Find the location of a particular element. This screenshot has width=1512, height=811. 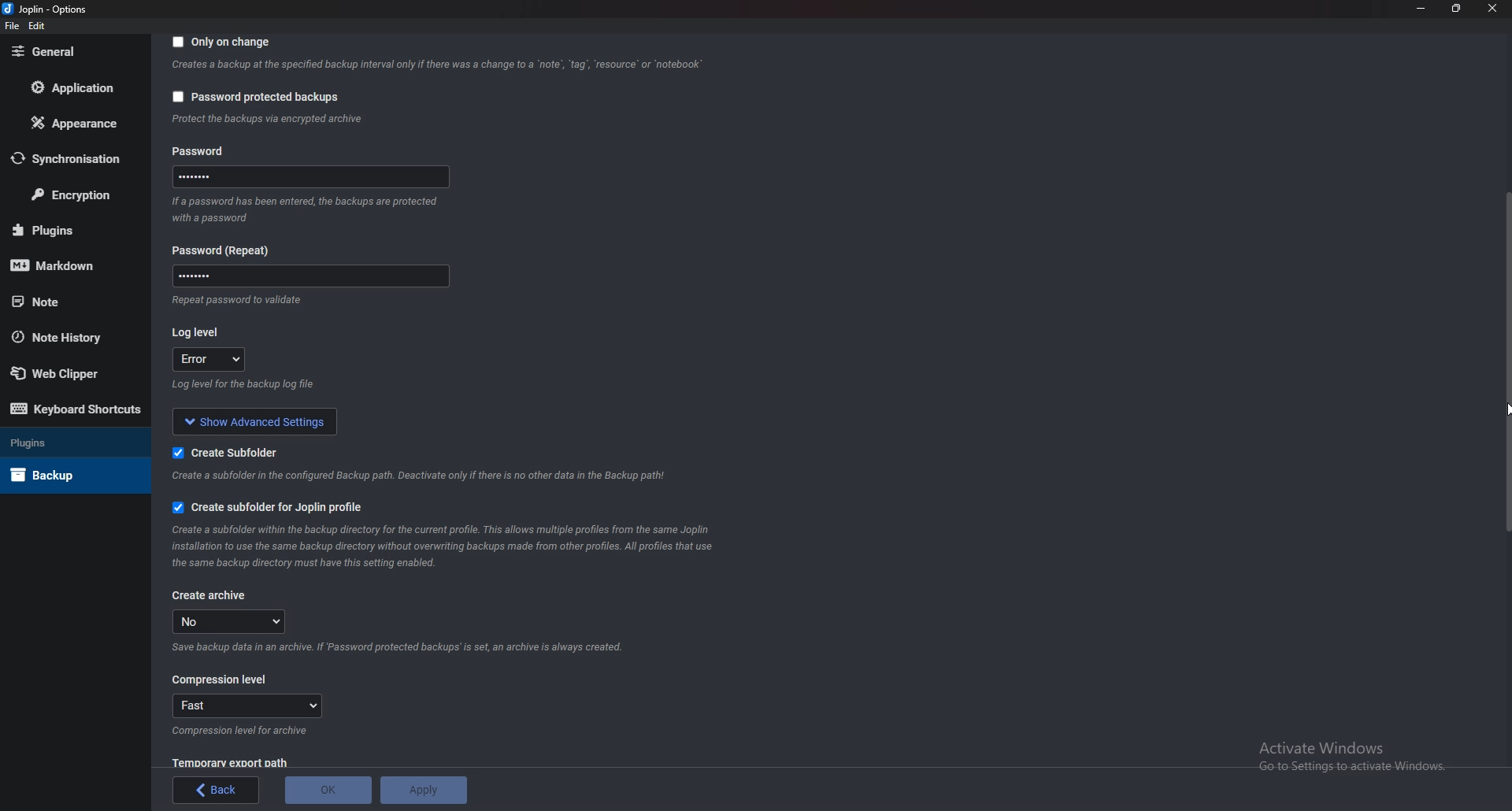

Temporary export path is located at coordinates (229, 762).